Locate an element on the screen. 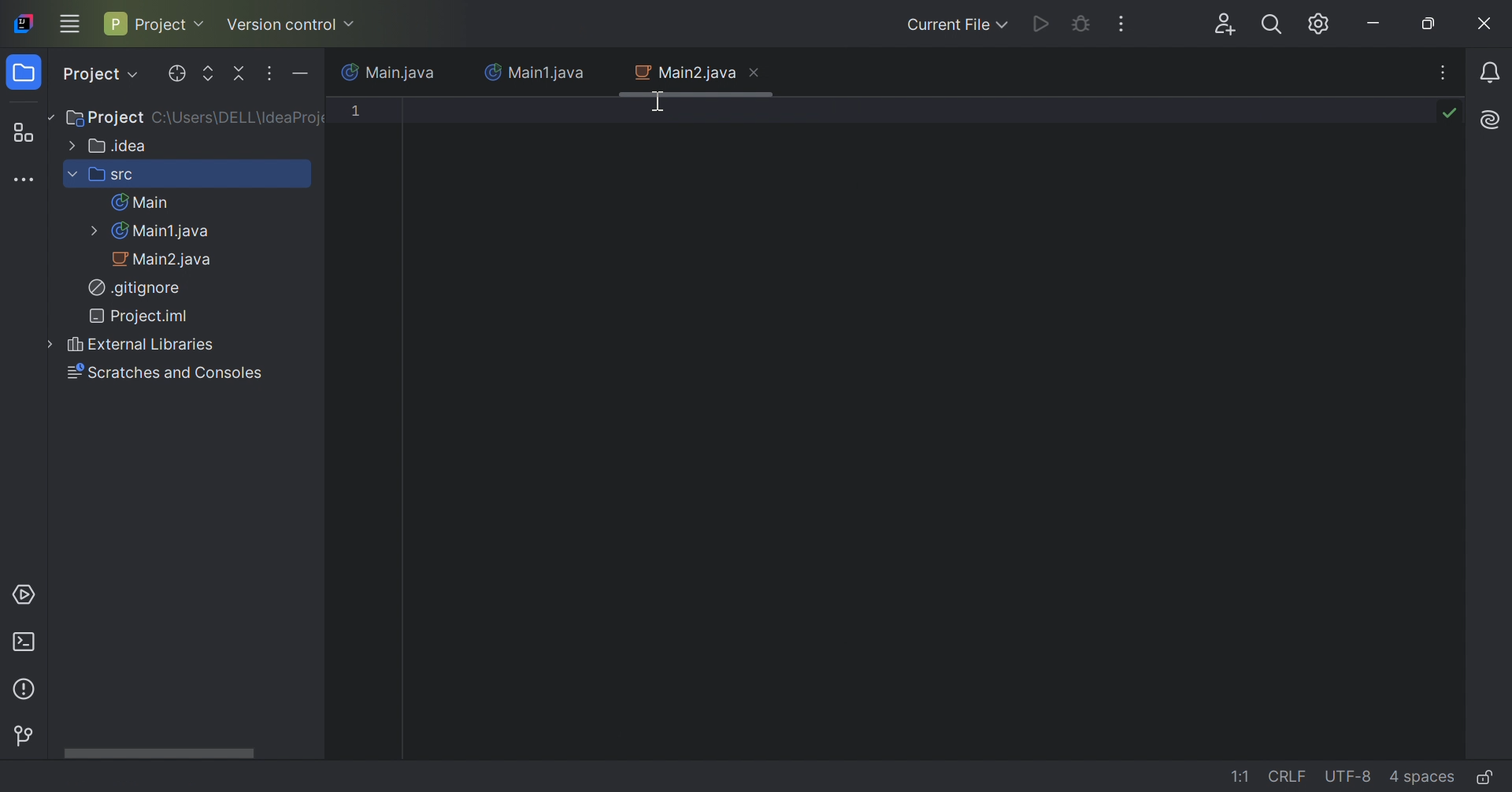 Image resolution: width=1512 pixels, height=792 pixels. Code with me is located at coordinates (1223, 25).